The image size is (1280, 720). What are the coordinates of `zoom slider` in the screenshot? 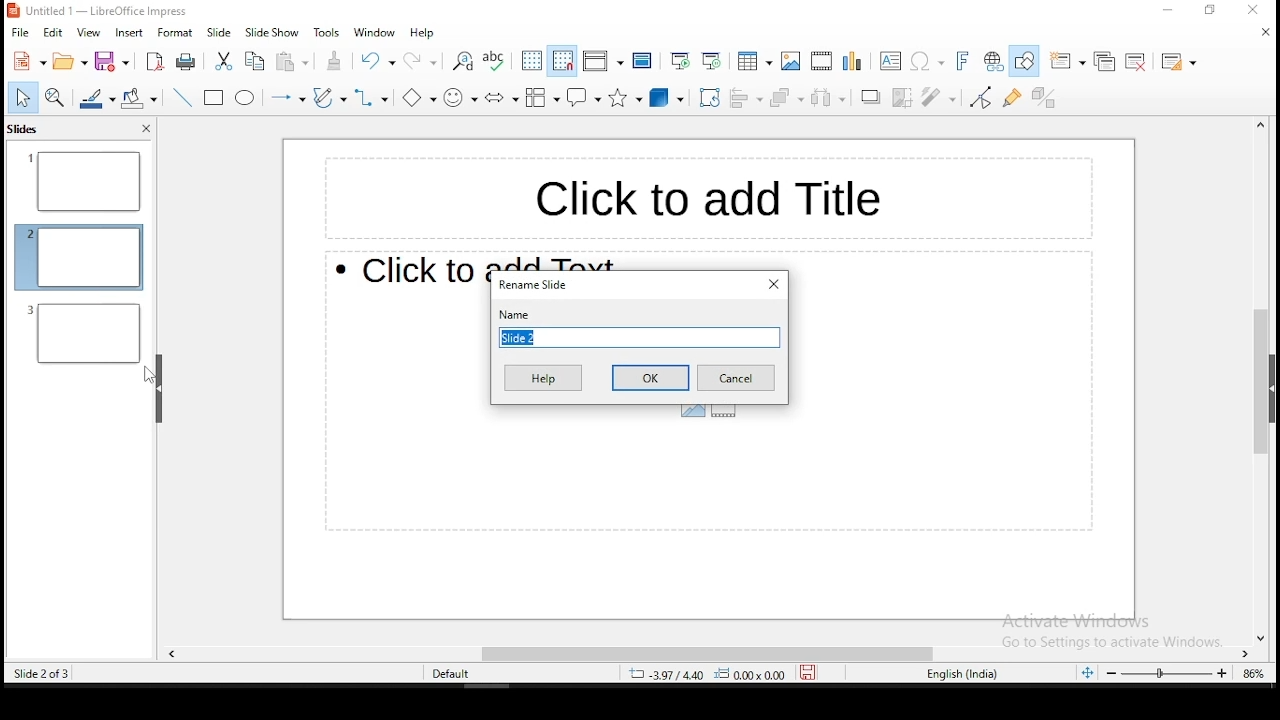 It's located at (1167, 673).